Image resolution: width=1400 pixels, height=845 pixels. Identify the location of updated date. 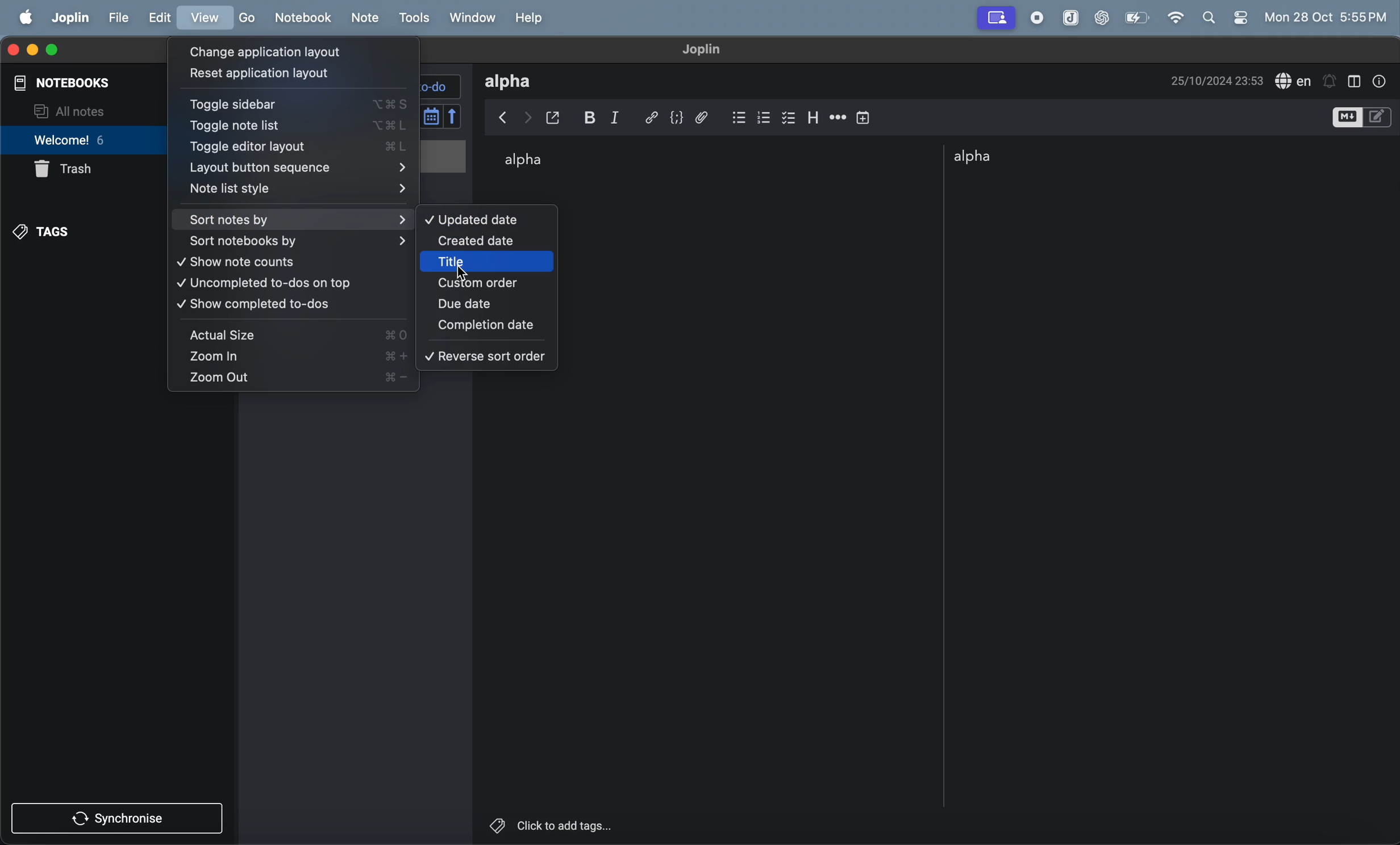
(482, 220).